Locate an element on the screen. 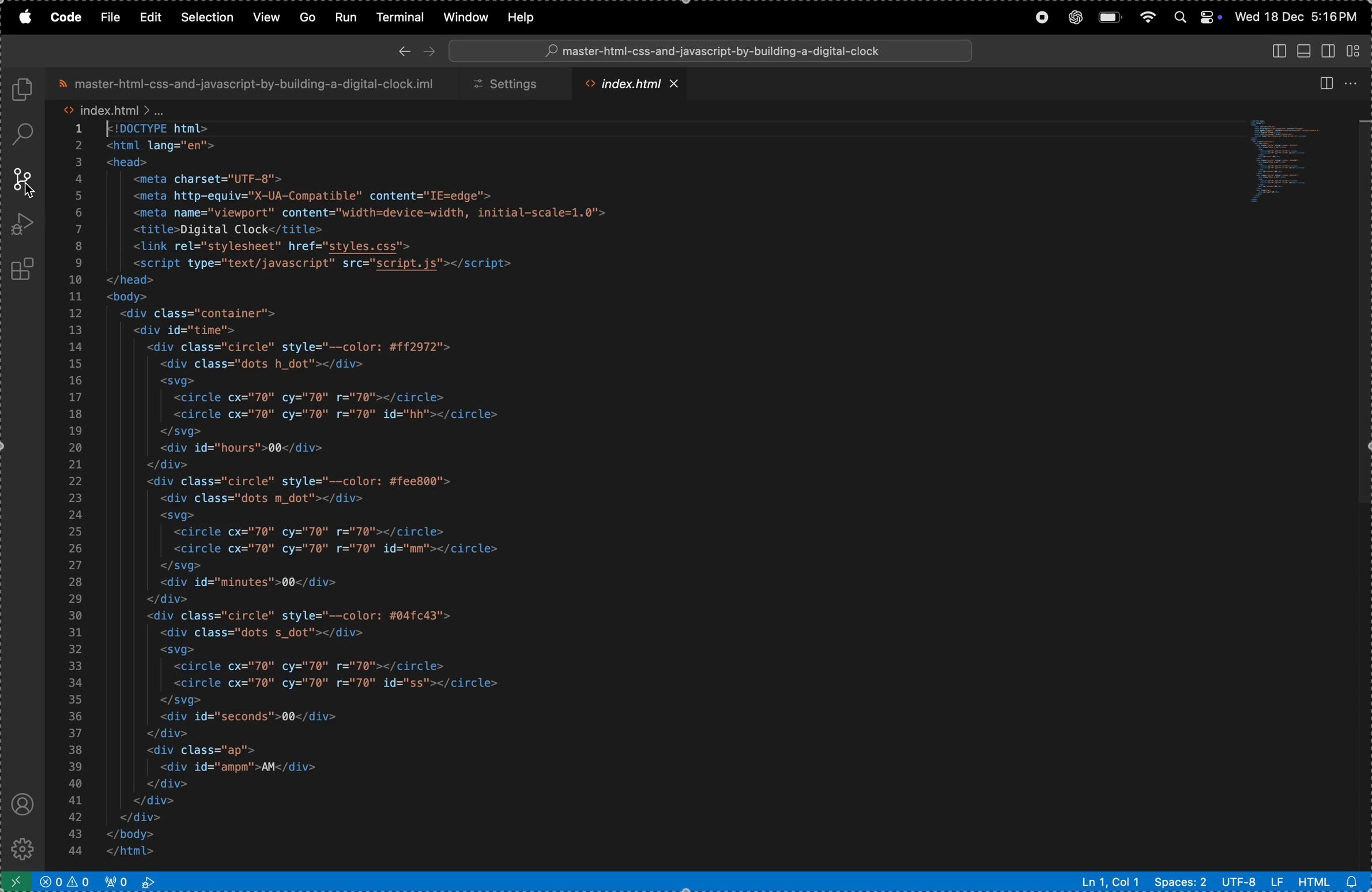 This screenshot has width=1372, height=892. help is located at coordinates (529, 16).